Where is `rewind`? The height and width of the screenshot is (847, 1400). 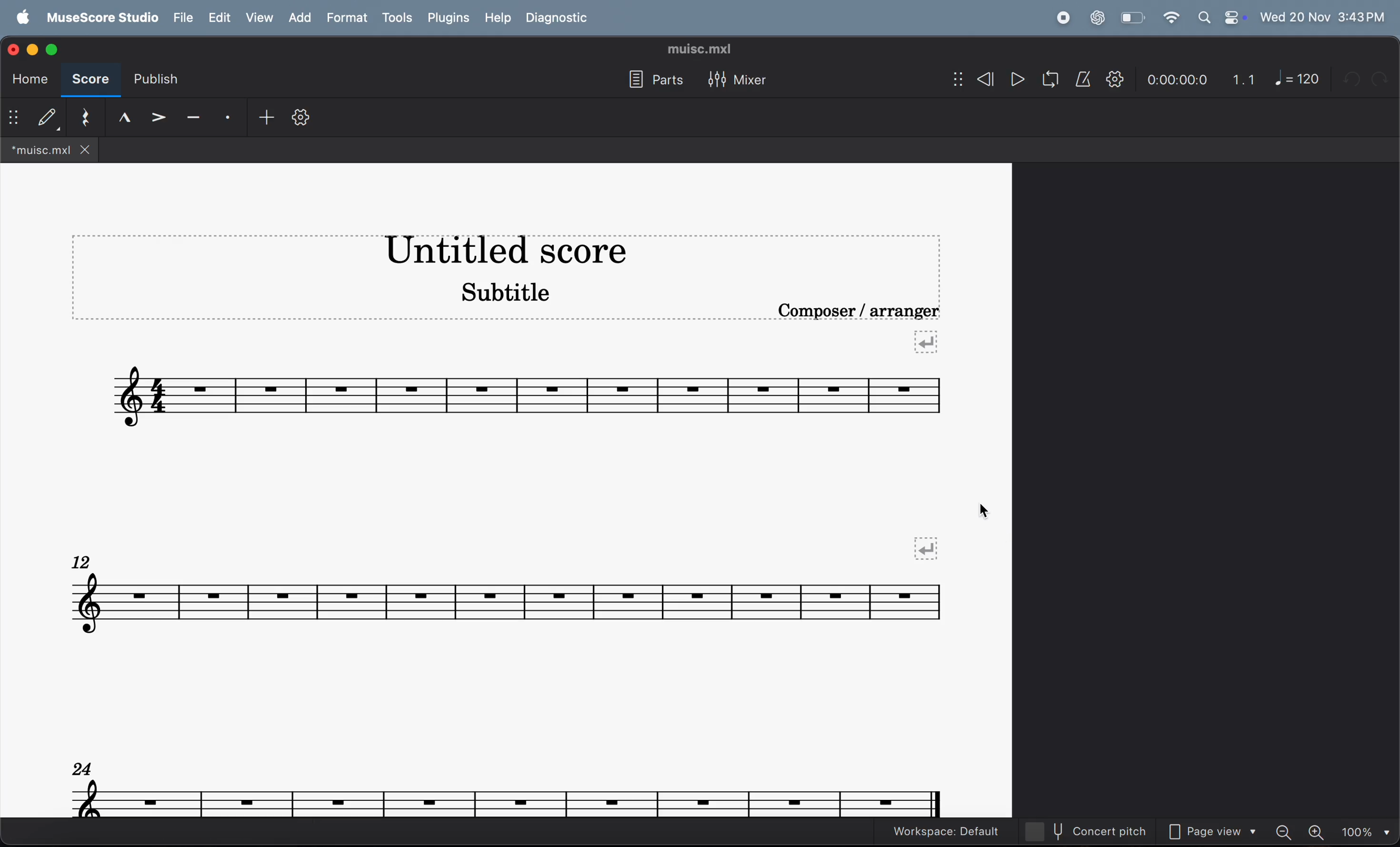
rewind is located at coordinates (970, 78).